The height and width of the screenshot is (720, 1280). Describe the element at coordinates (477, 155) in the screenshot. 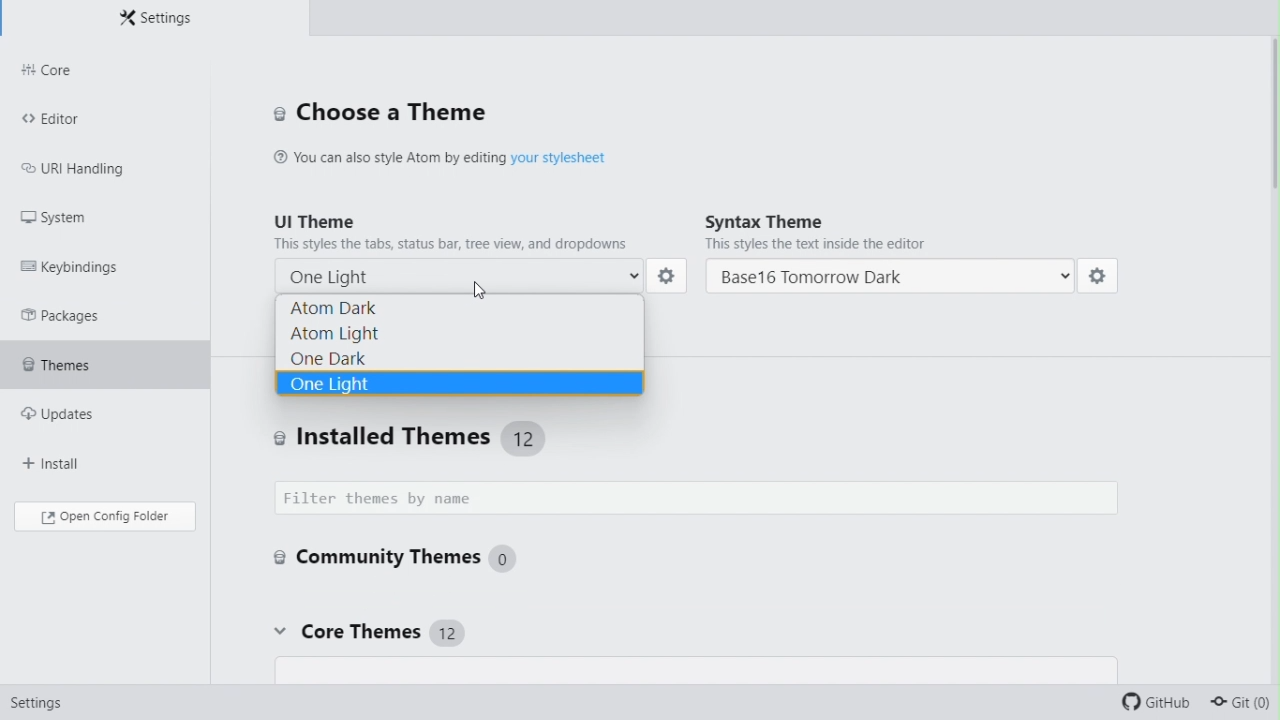

I see `you can also style atom by editing your stylesheet` at that location.